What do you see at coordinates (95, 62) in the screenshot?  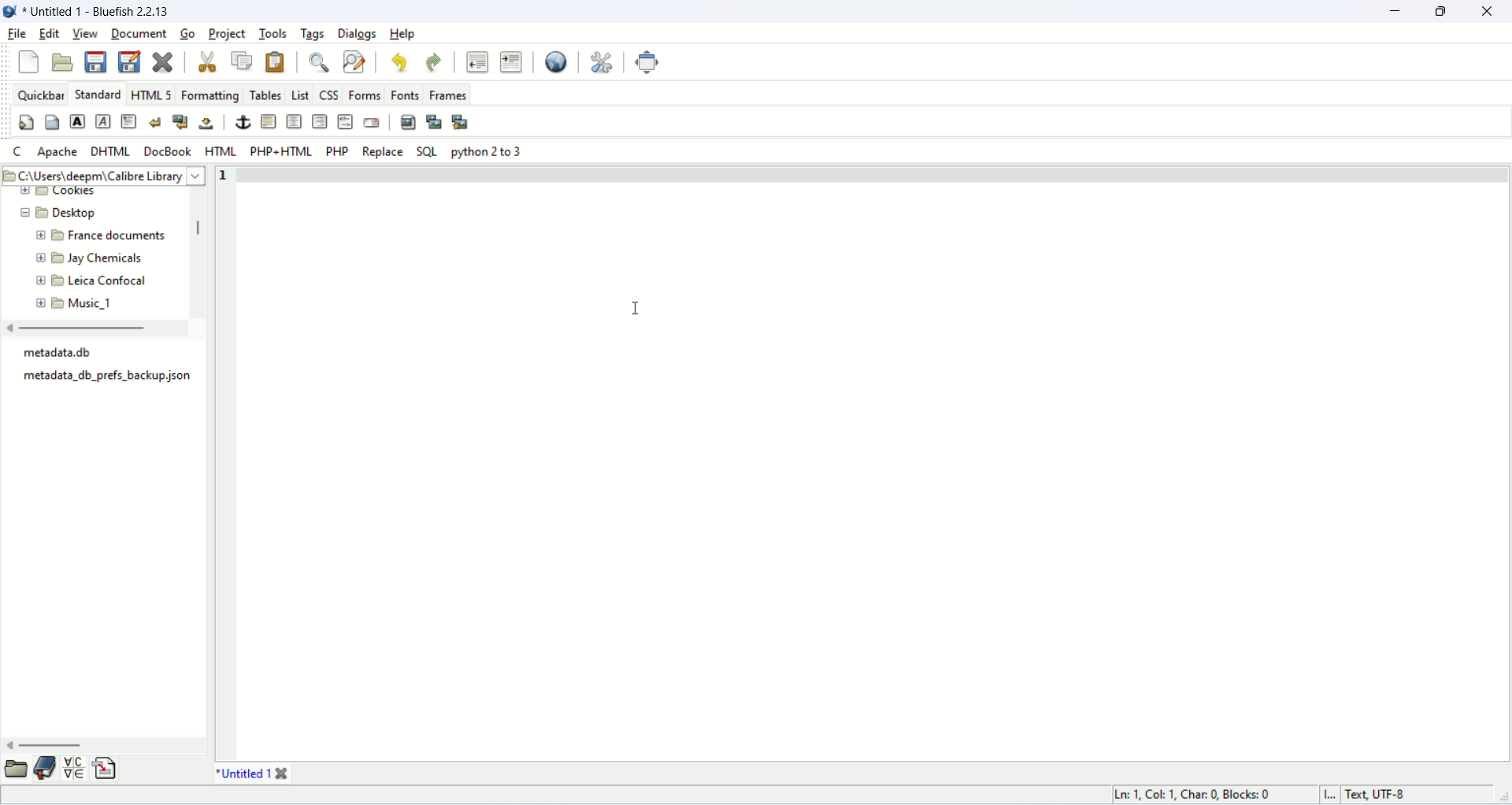 I see `save` at bounding box center [95, 62].